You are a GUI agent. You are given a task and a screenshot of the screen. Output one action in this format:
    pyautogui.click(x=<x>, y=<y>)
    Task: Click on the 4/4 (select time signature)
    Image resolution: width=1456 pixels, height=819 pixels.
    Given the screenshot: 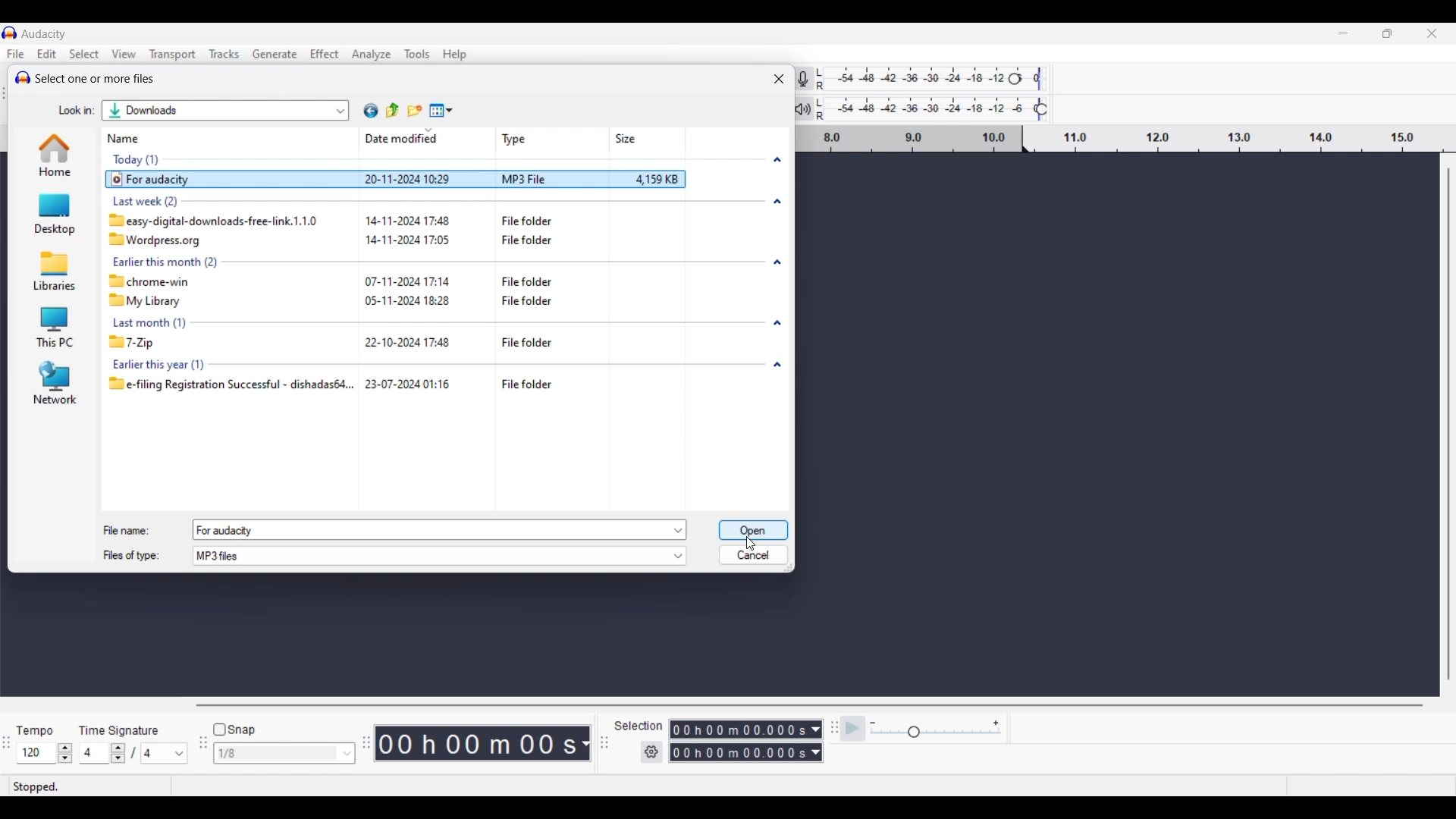 What is the action you would take?
    pyautogui.click(x=133, y=753)
    